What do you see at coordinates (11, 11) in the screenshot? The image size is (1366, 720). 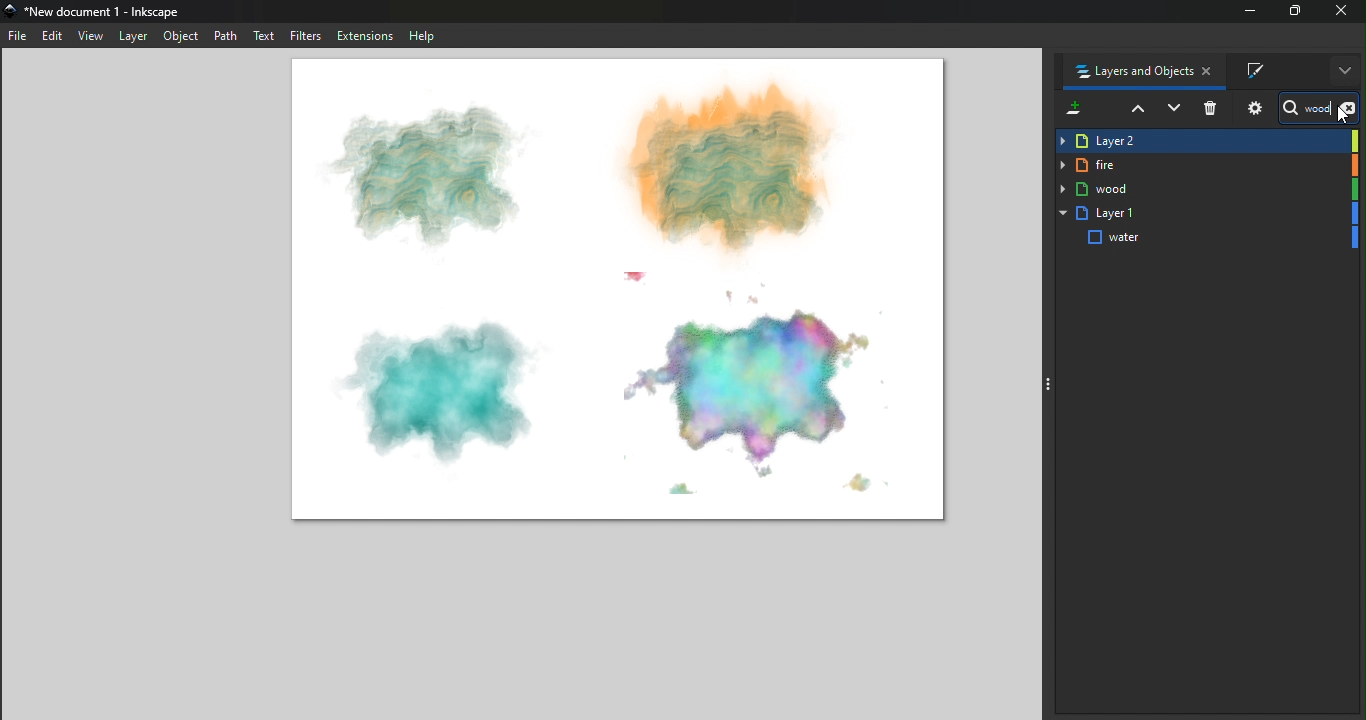 I see `app icon` at bounding box center [11, 11].